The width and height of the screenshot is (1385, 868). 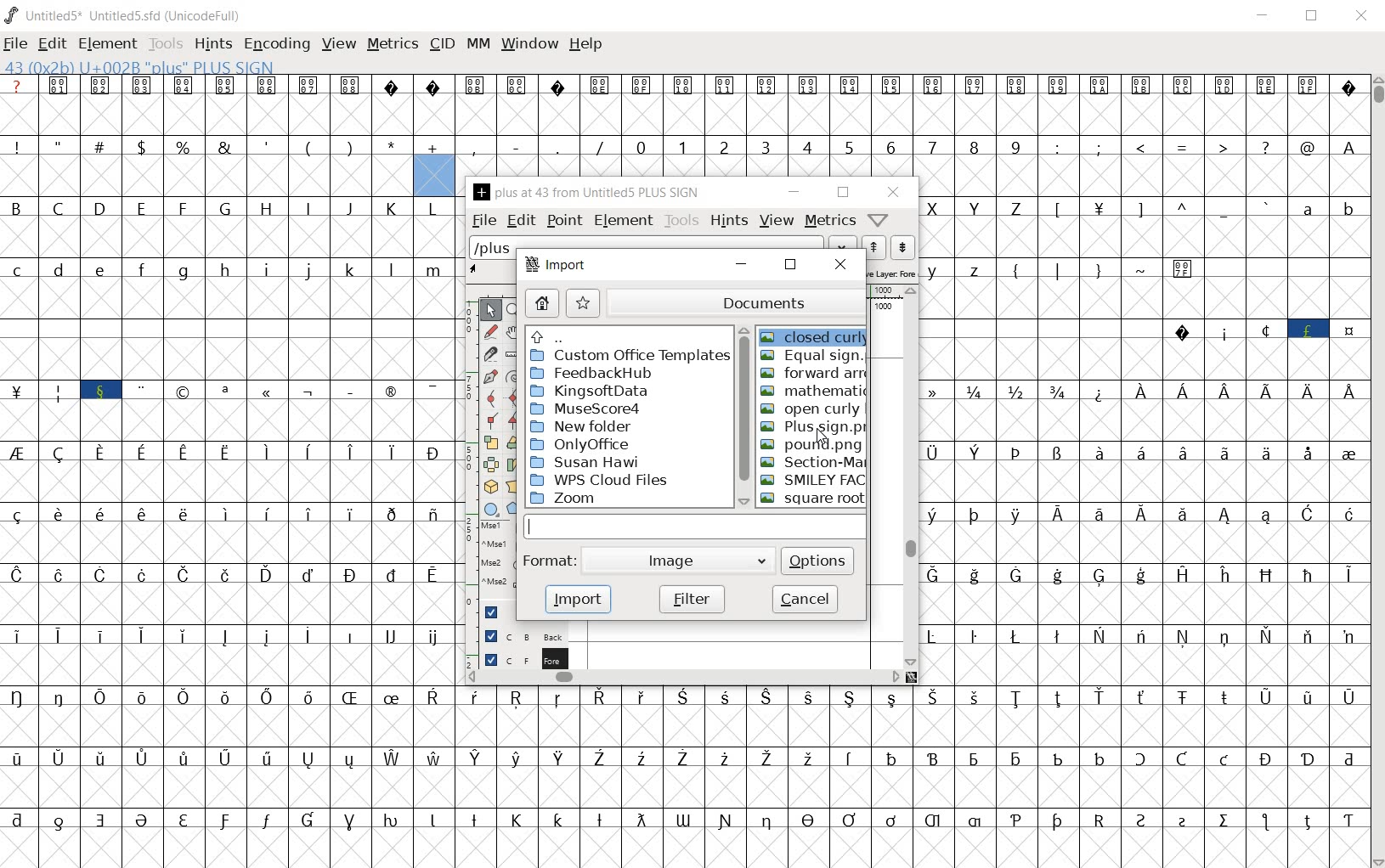 What do you see at coordinates (16, 43) in the screenshot?
I see `file` at bounding box center [16, 43].